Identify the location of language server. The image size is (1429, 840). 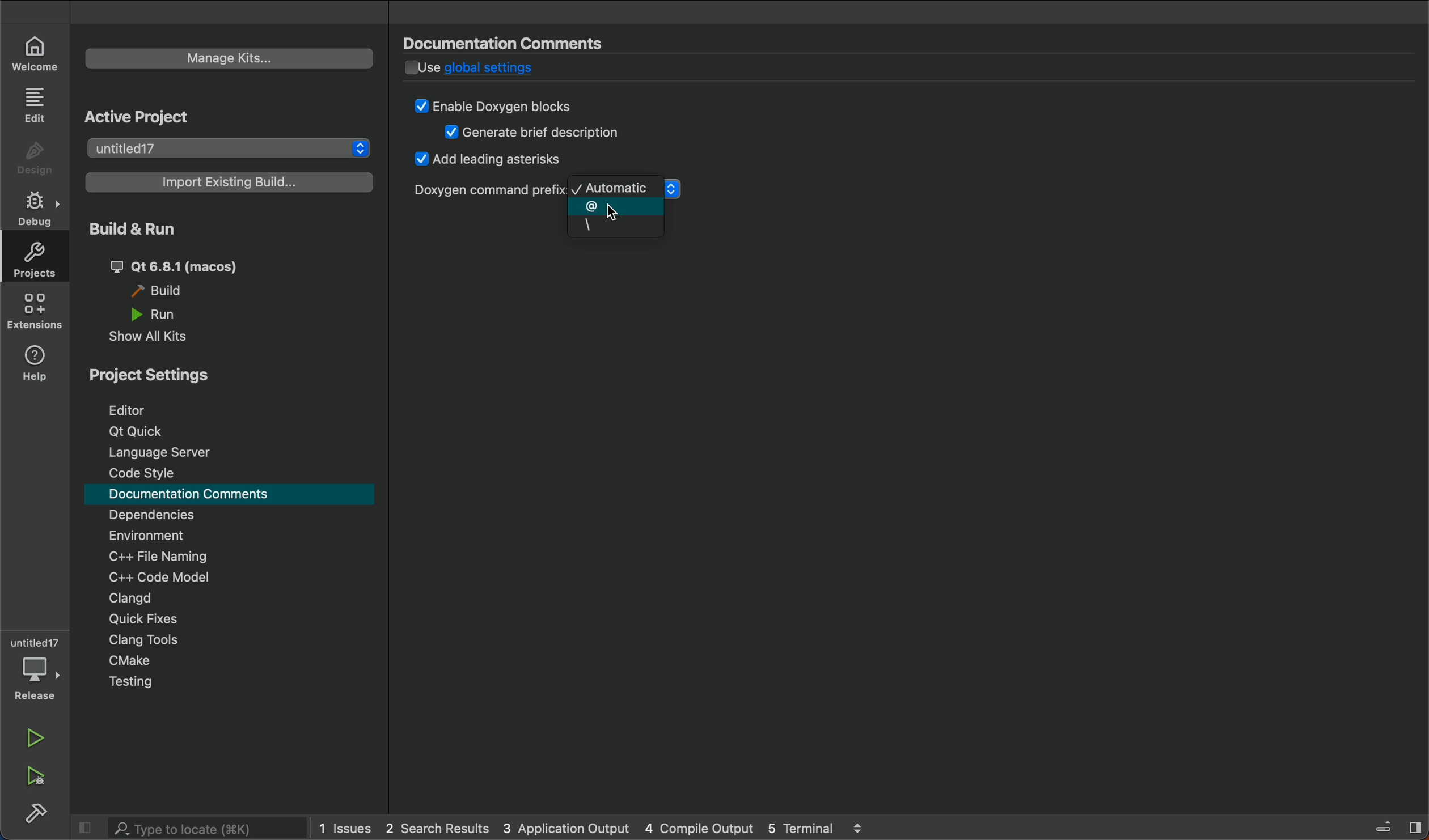
(158, 453).